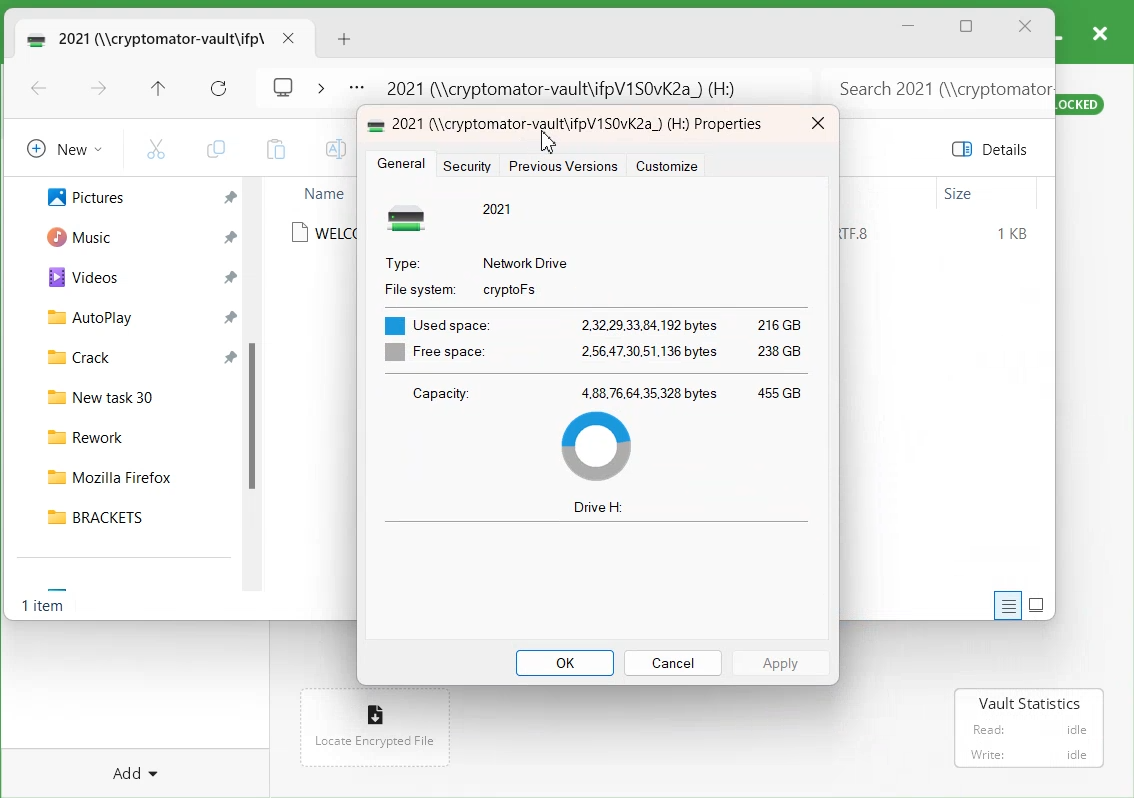 The image size is (1134, 798). I want to click on 2.56.47.30.51.136 bytes., so click(650, 352).